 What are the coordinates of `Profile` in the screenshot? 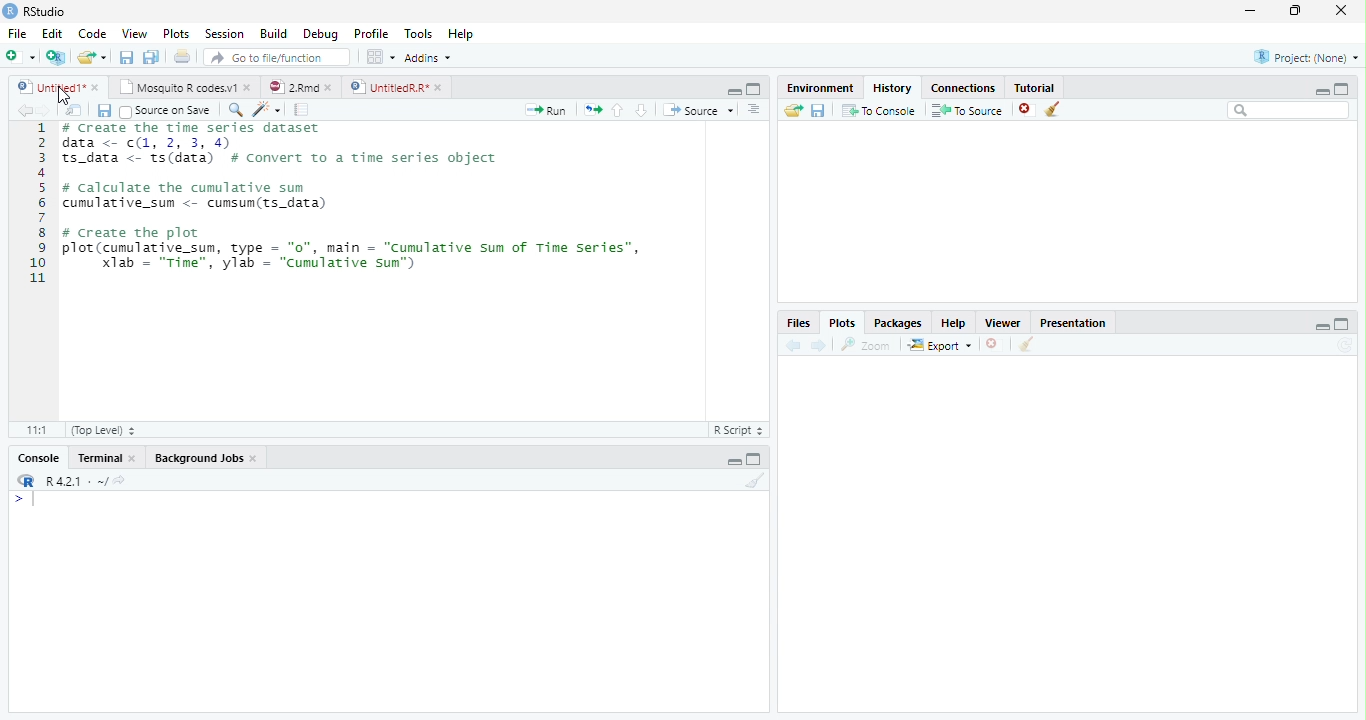 It's located at (372, 35).